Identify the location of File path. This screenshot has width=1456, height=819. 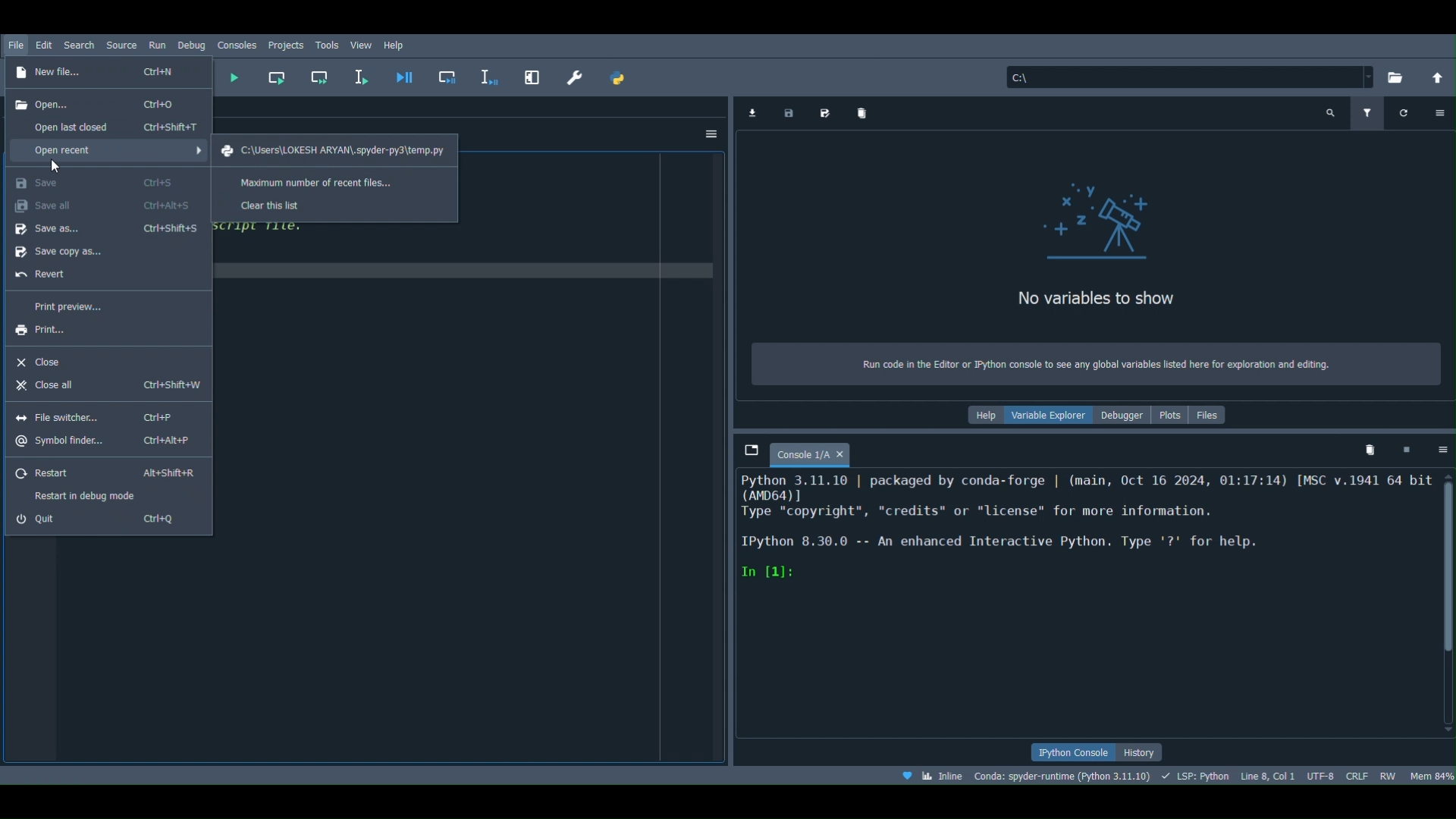
(327, 149).